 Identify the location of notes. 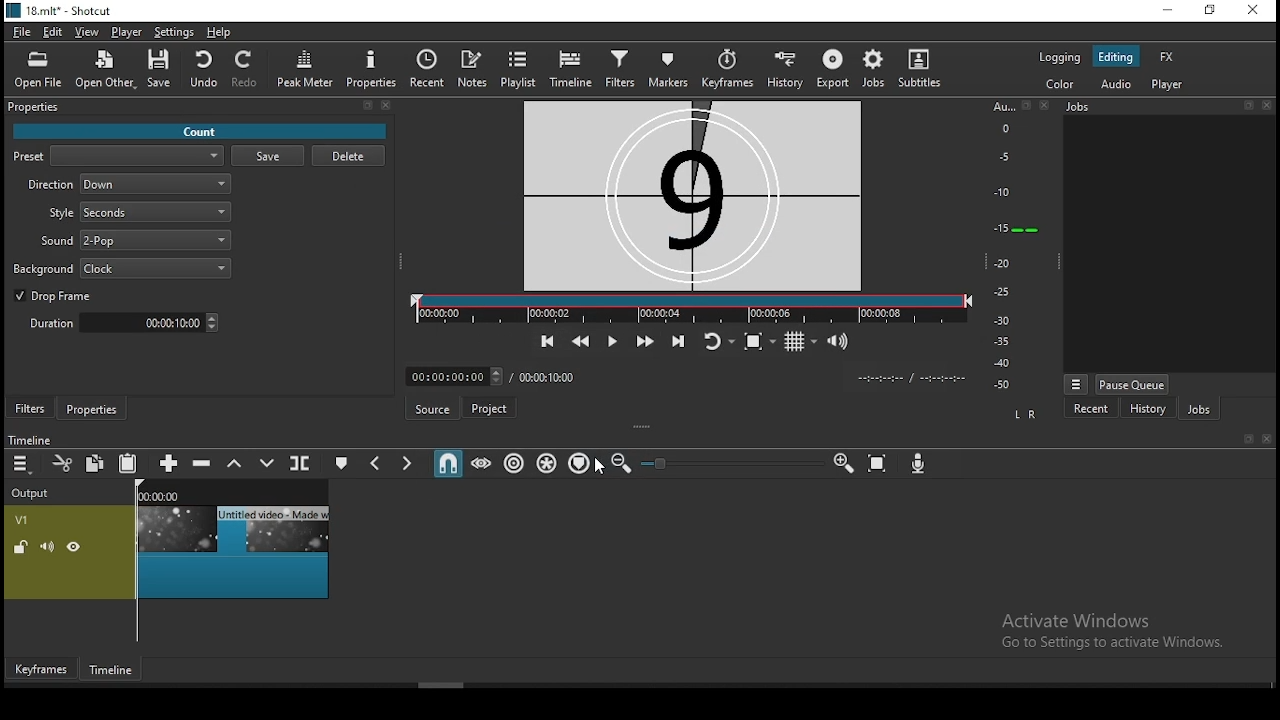
(476, 67).